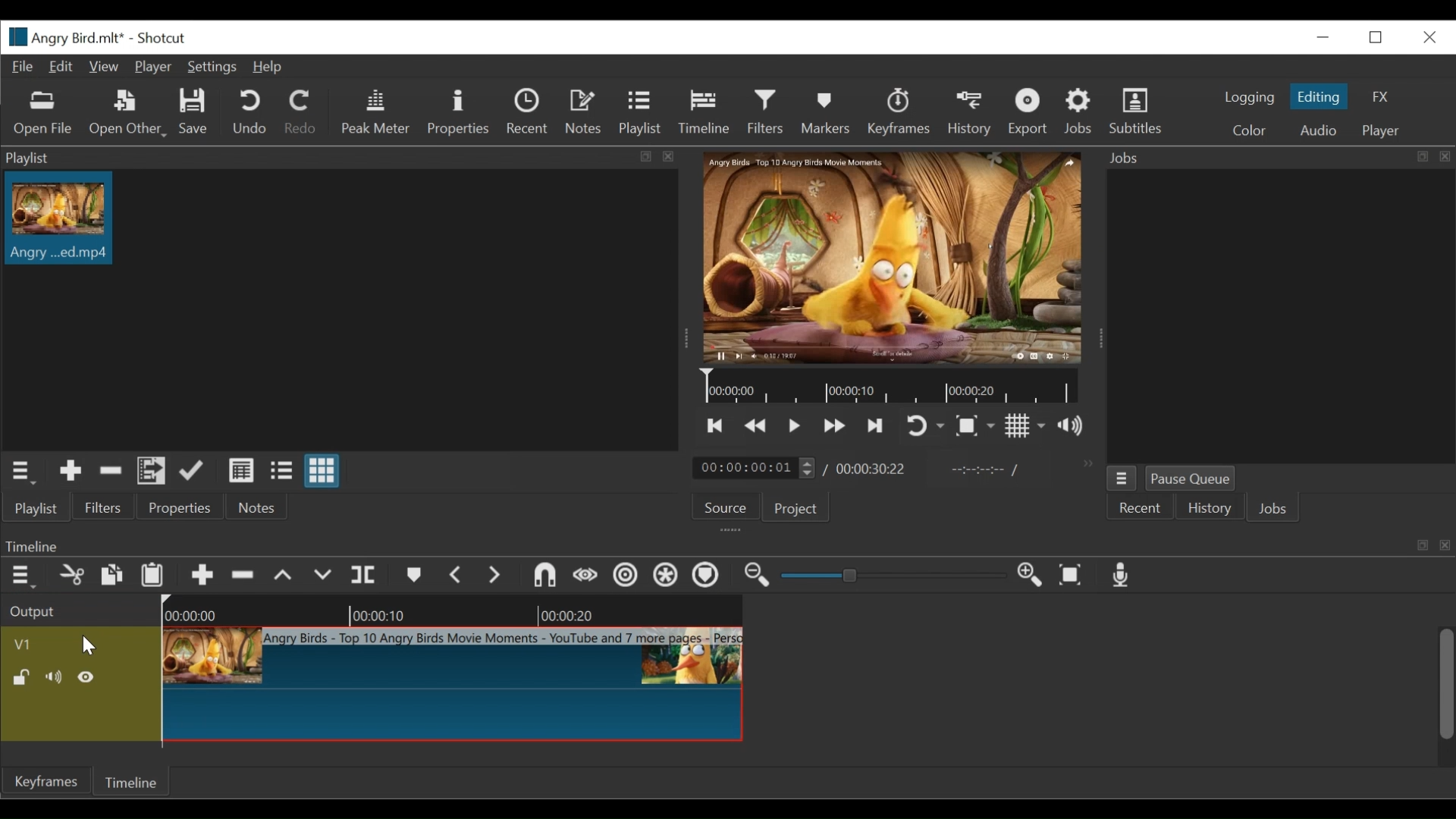  Describe the element at coordinates (1376, 37) in the screenshot. I see `Restore` at that location.